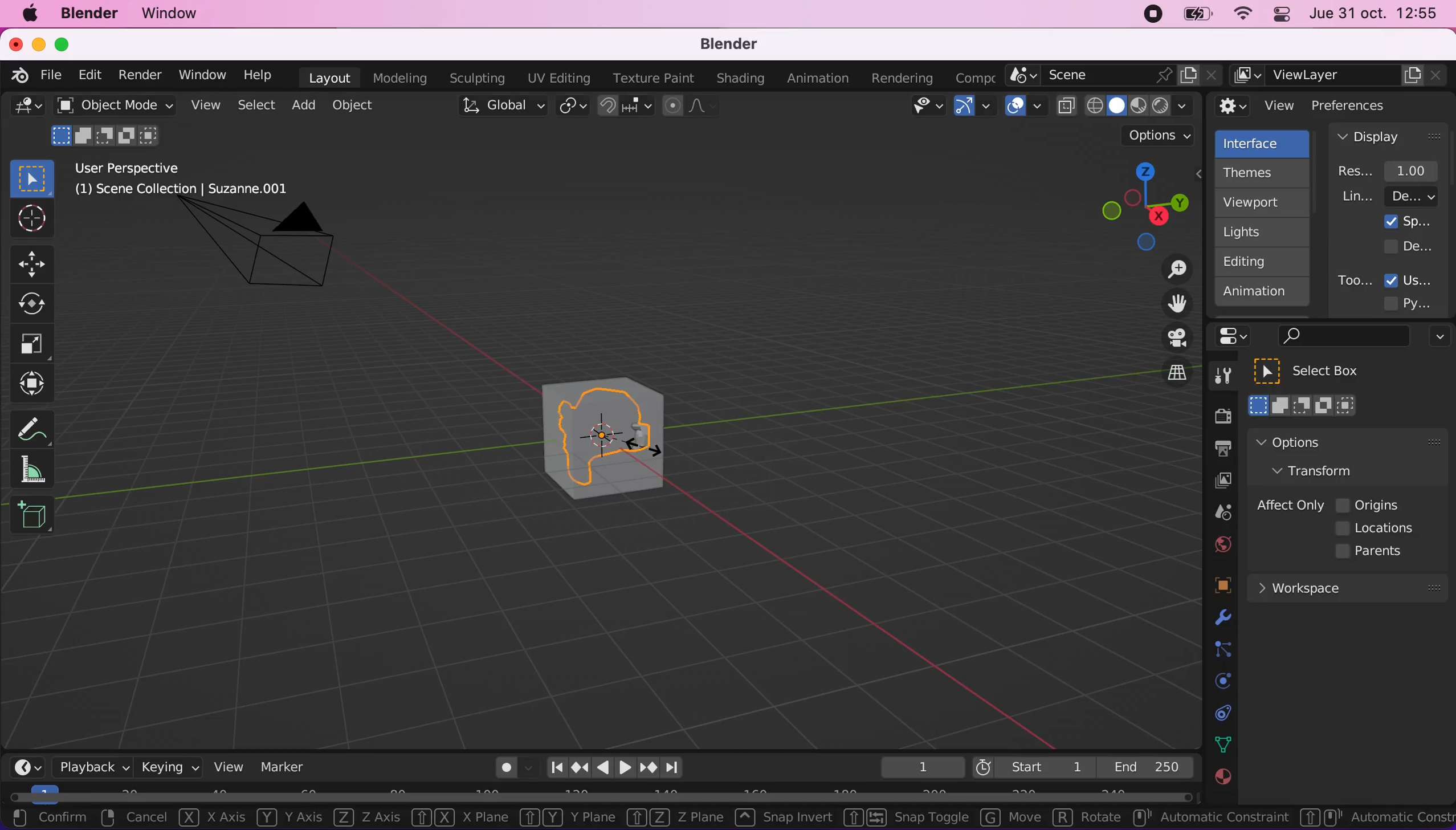 The width and height of the screenshot is (1456, 830). I want to click on keyframe, so click(921, 768).